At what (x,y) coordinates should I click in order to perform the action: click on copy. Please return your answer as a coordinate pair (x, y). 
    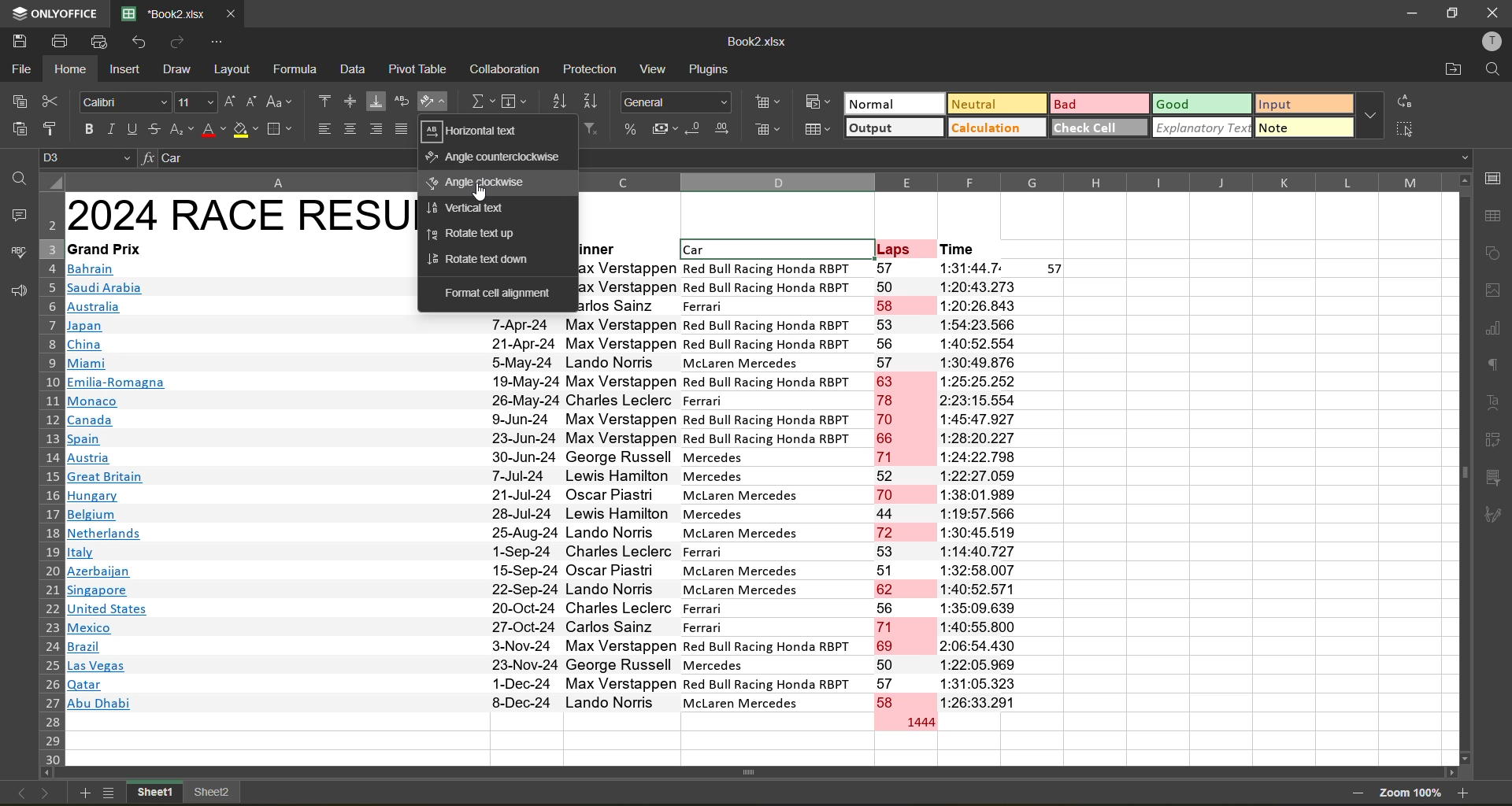
    Looking at the image, I should click on (18, 98).